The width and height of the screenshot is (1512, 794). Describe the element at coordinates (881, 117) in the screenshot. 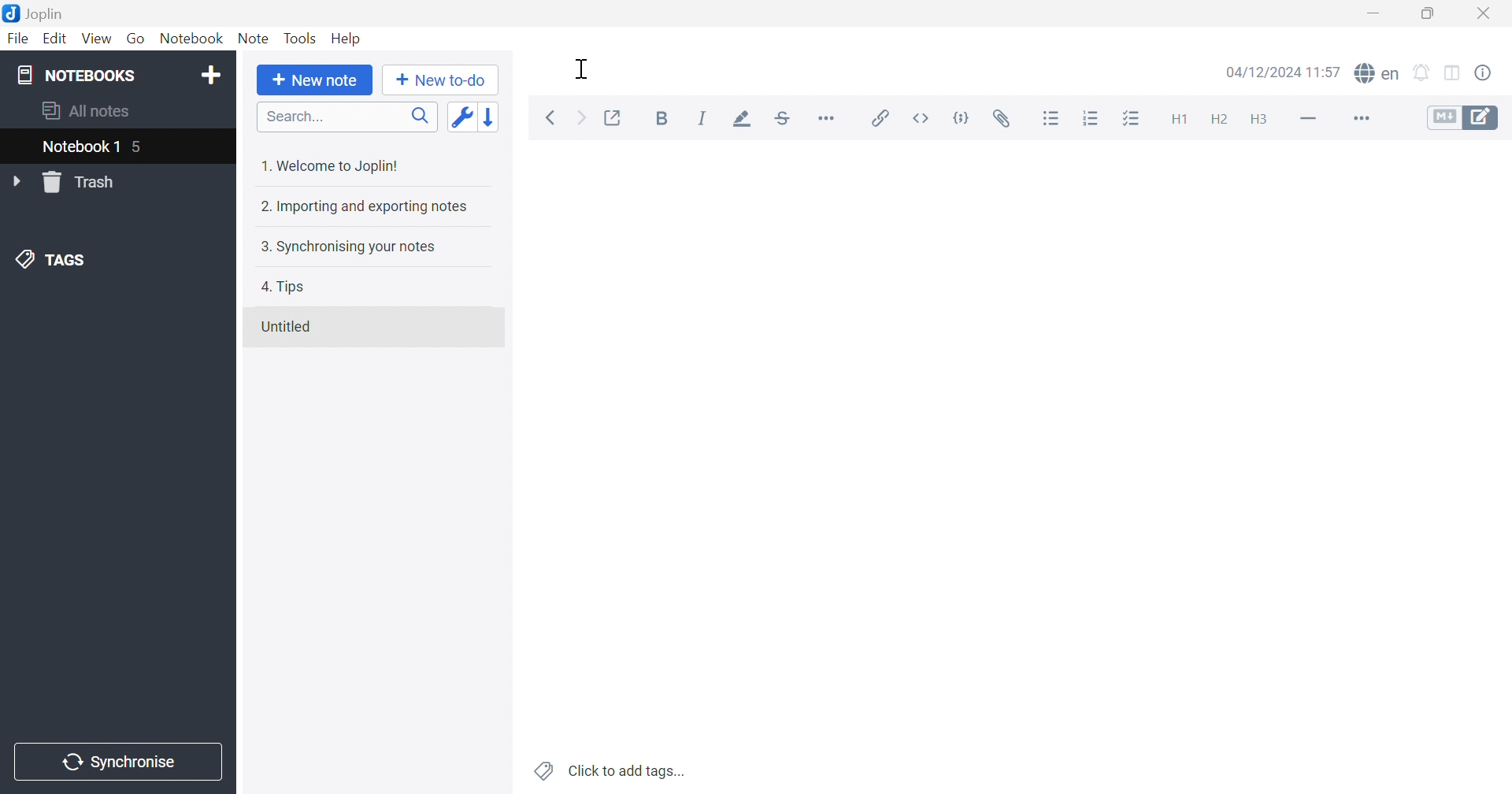

I see `Insert / edit link` at that location.